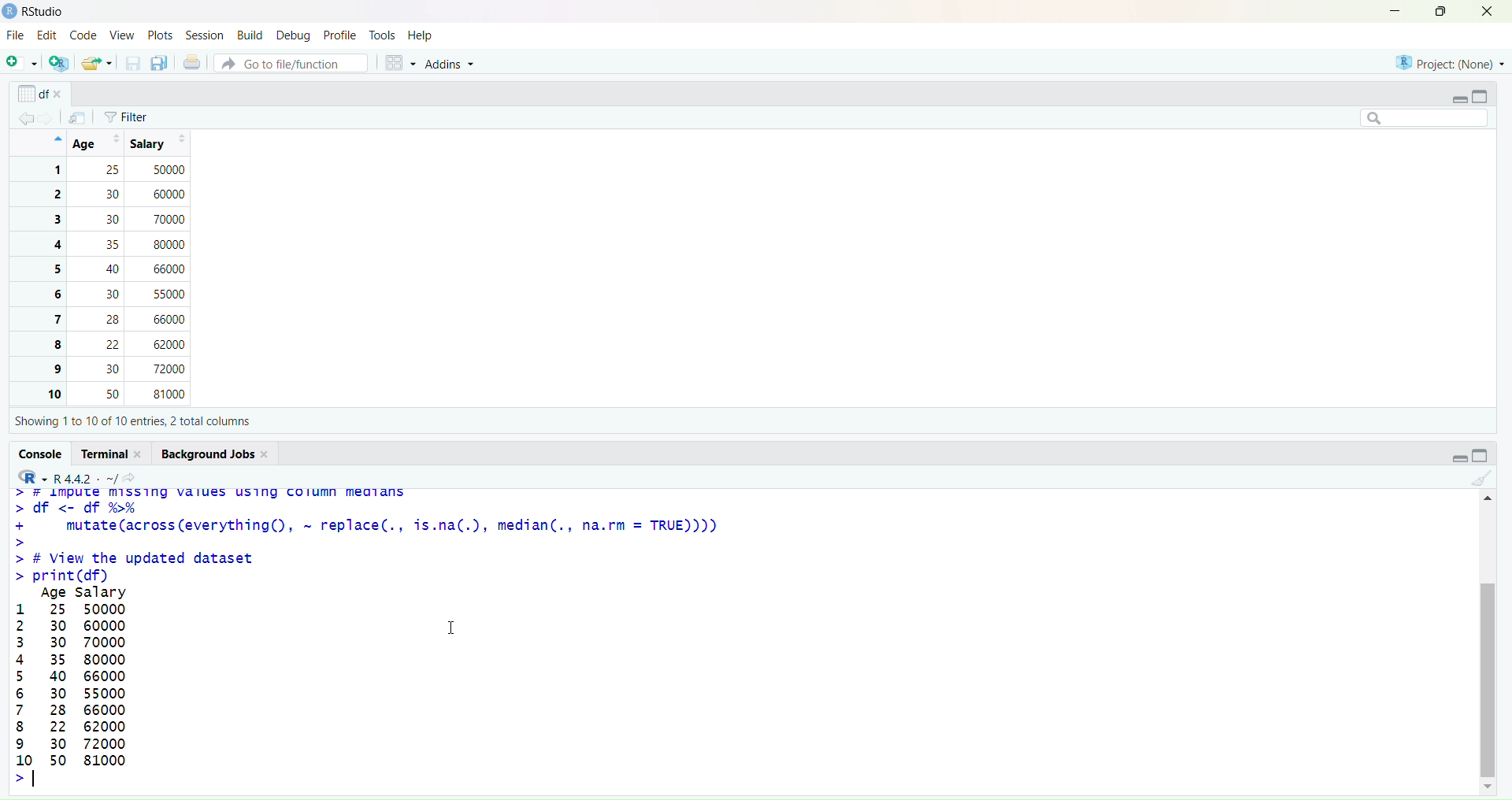 This screenshot has height=800, width=1512. What do you see at coordinates (130, 117) in the screenshot?
I see `filter` at bounding box center [130, 117].